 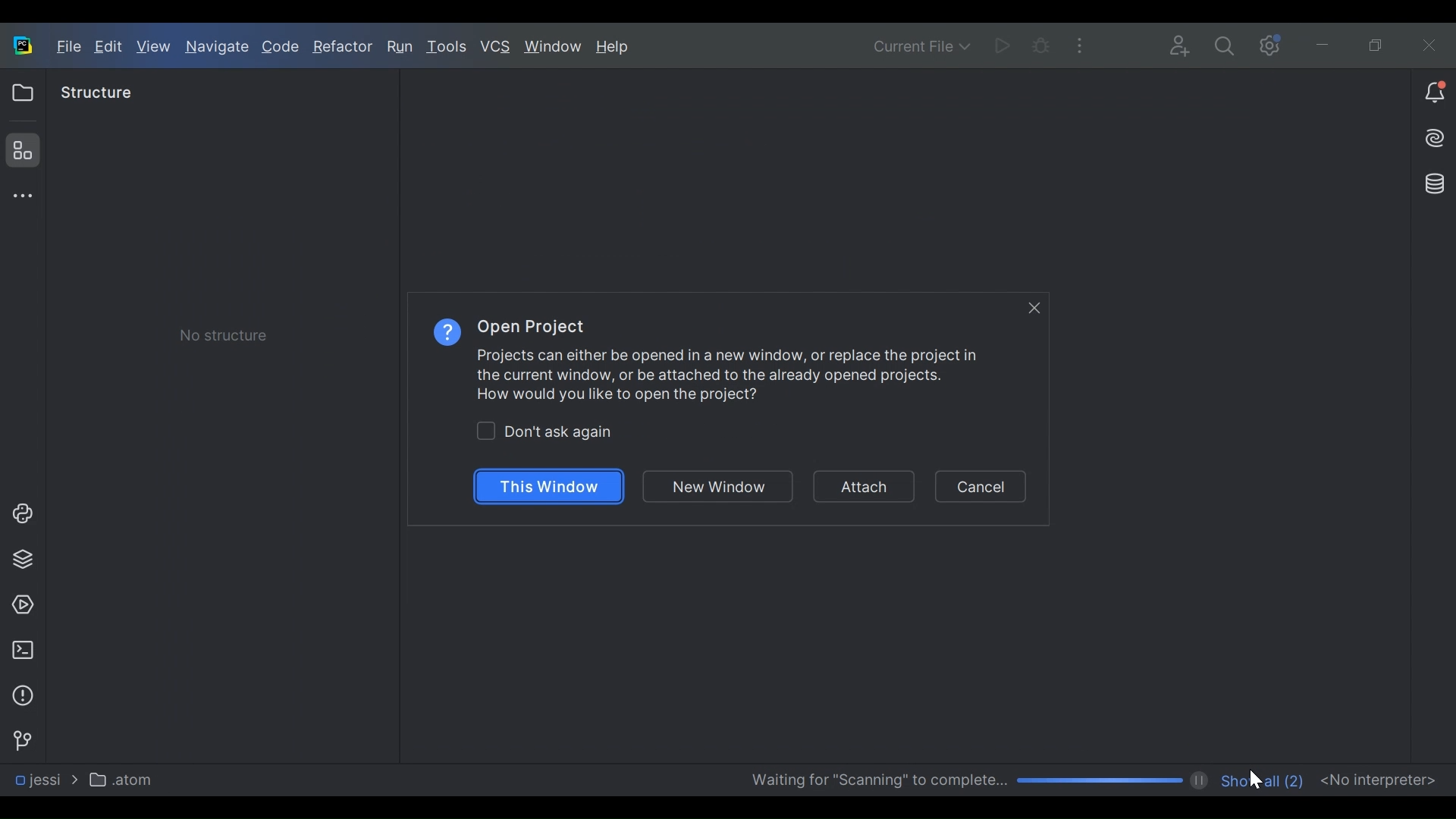 I want to click on Scanning Progress, so click(x=963, y=779).